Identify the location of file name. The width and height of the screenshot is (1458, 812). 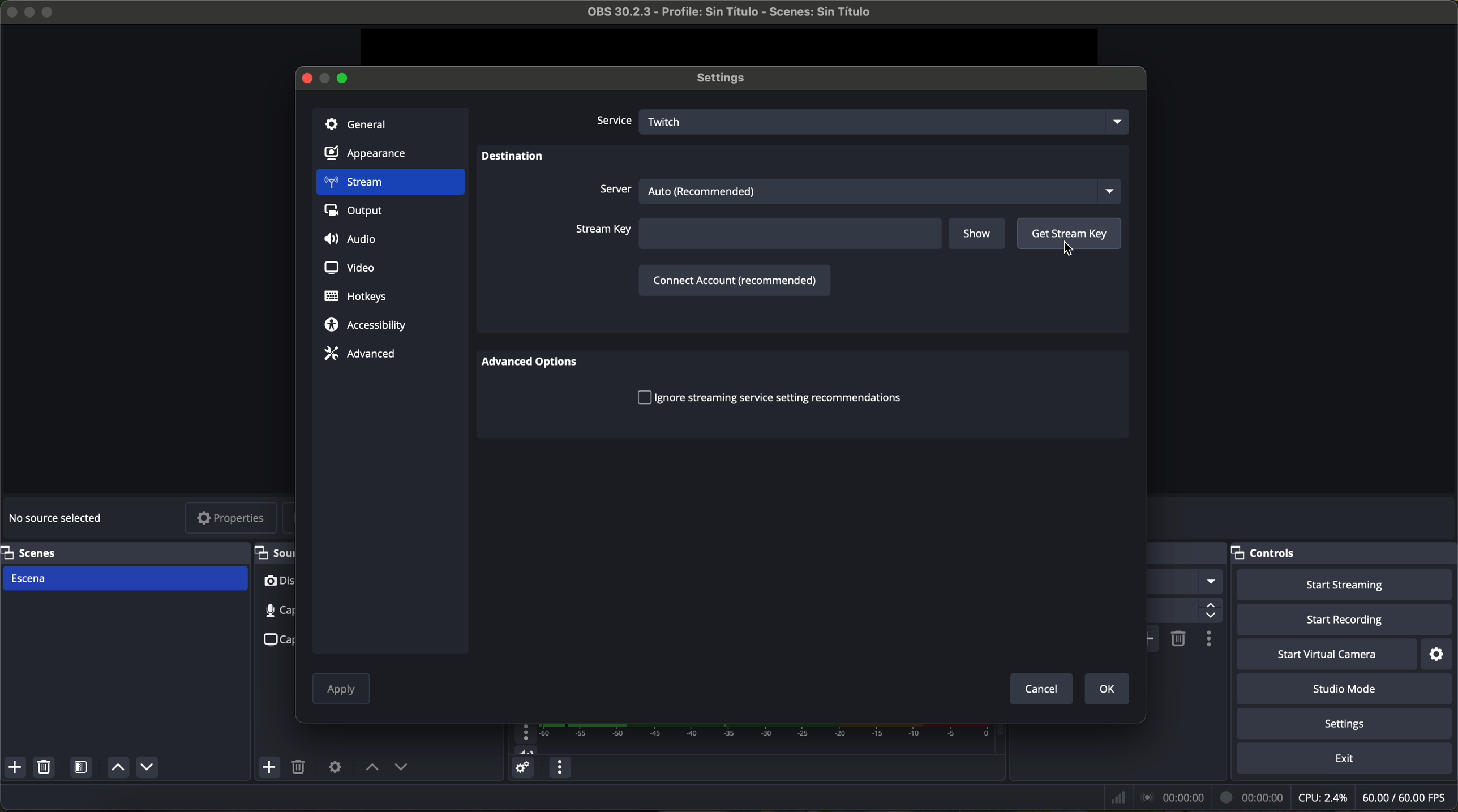
(719, 14).